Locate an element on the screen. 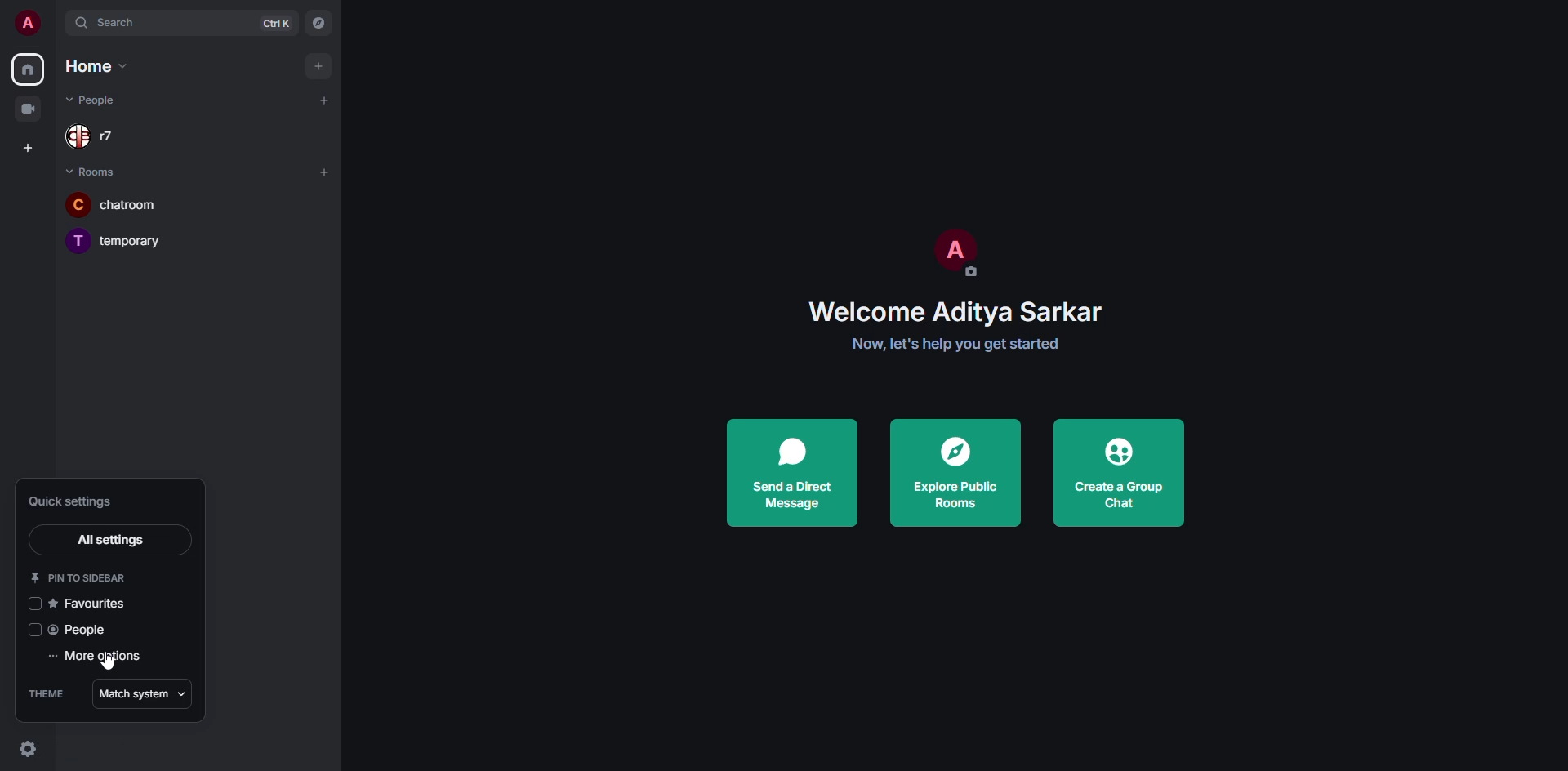  welcome is located at coordinates (959, 311).